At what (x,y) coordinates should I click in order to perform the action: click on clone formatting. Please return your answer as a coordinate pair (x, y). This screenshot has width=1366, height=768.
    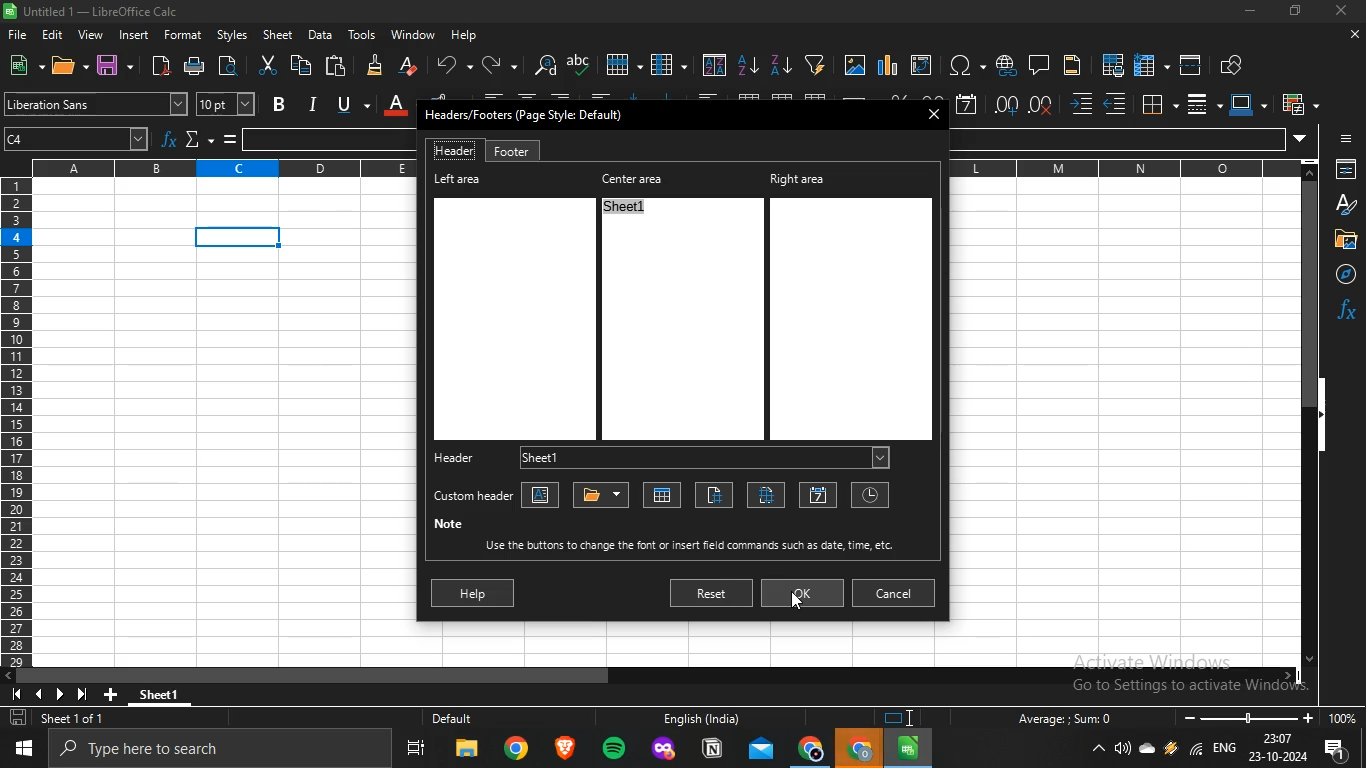
    Looking at the image, I should click on (374, 66).